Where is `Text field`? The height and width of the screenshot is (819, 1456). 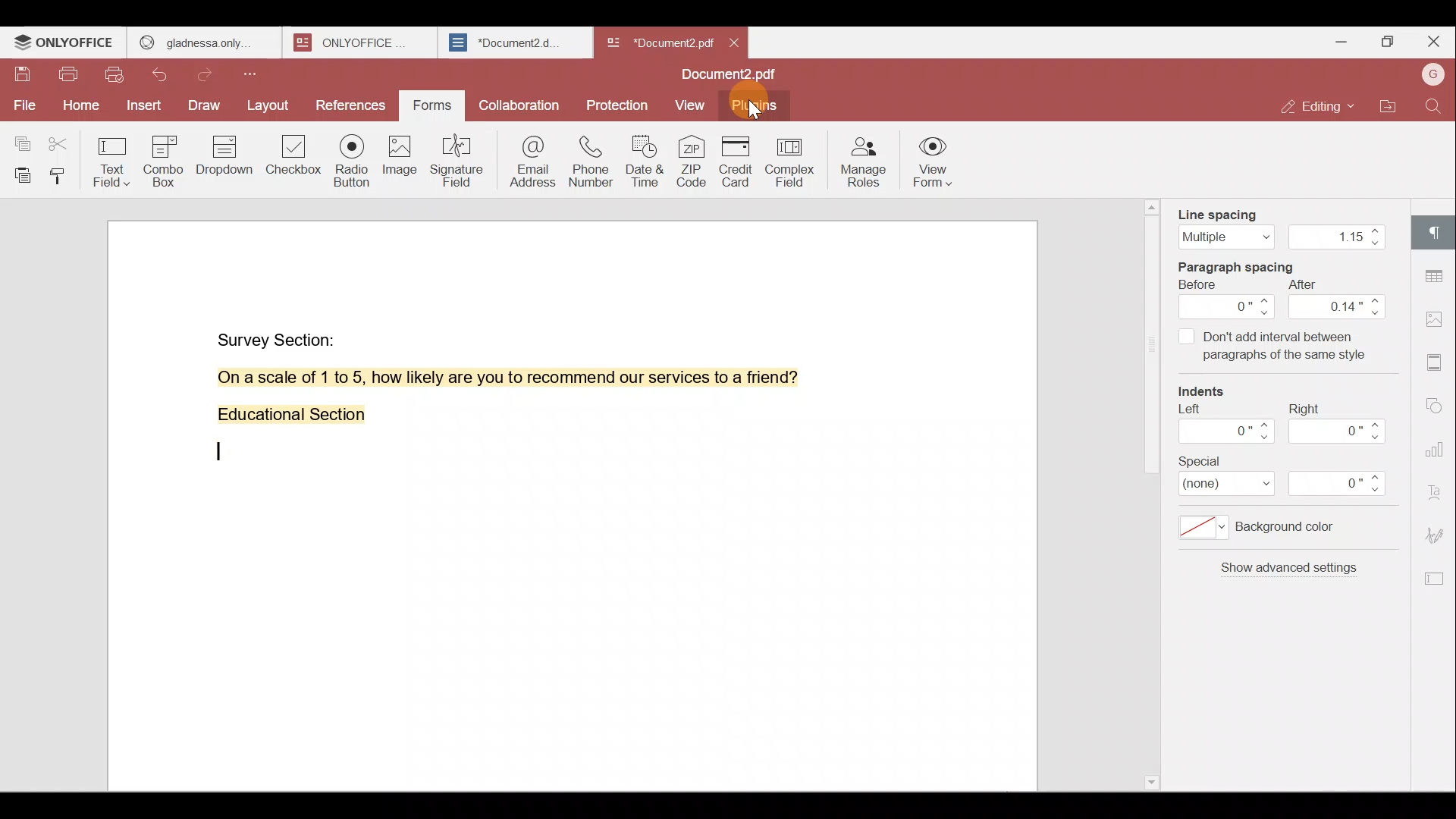 Text field is located at coordinates (114, 158).